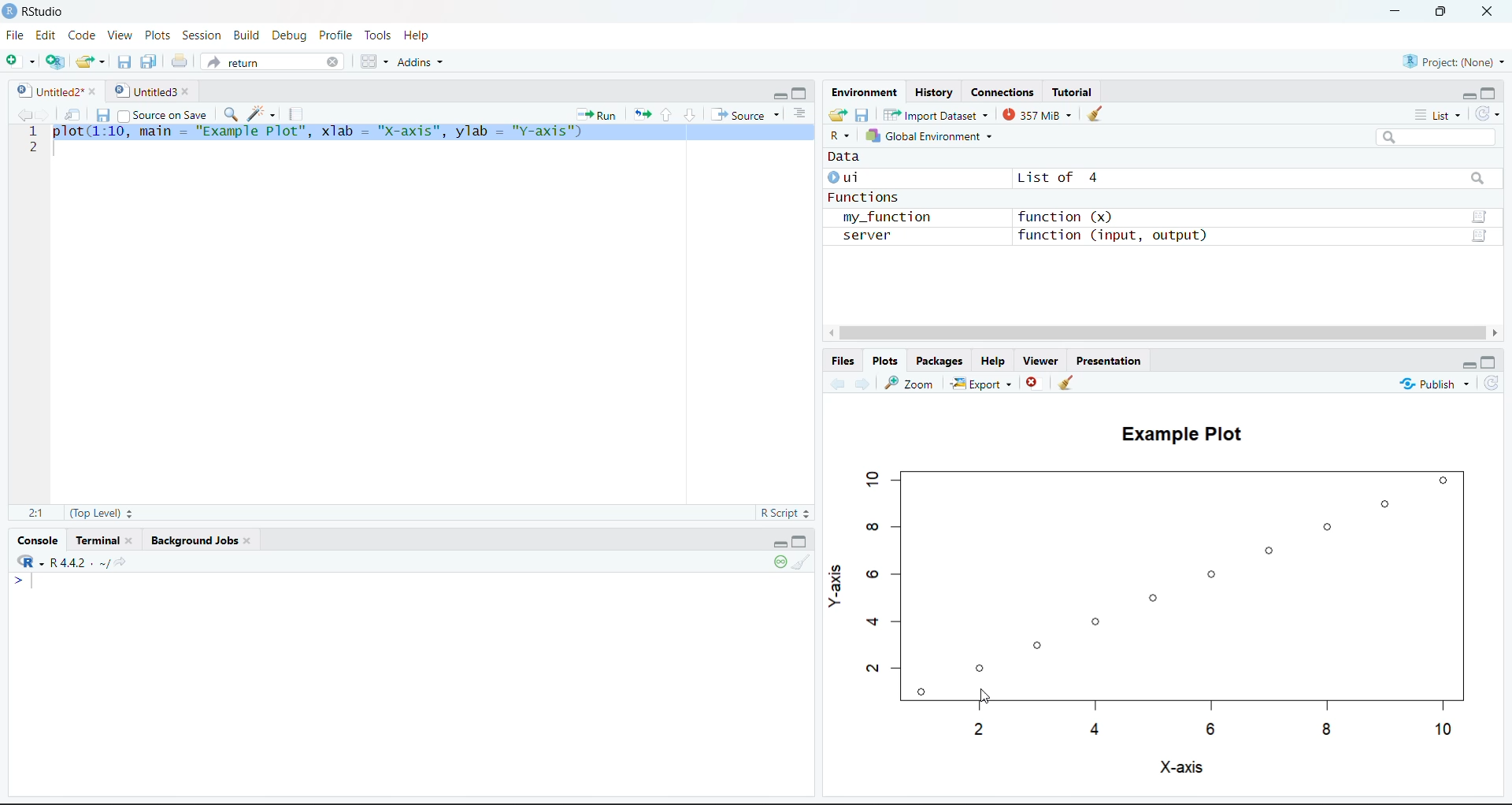  Describe the element at coordinates (1107, 359) in the screenshot. I see `Presentation` at that location.